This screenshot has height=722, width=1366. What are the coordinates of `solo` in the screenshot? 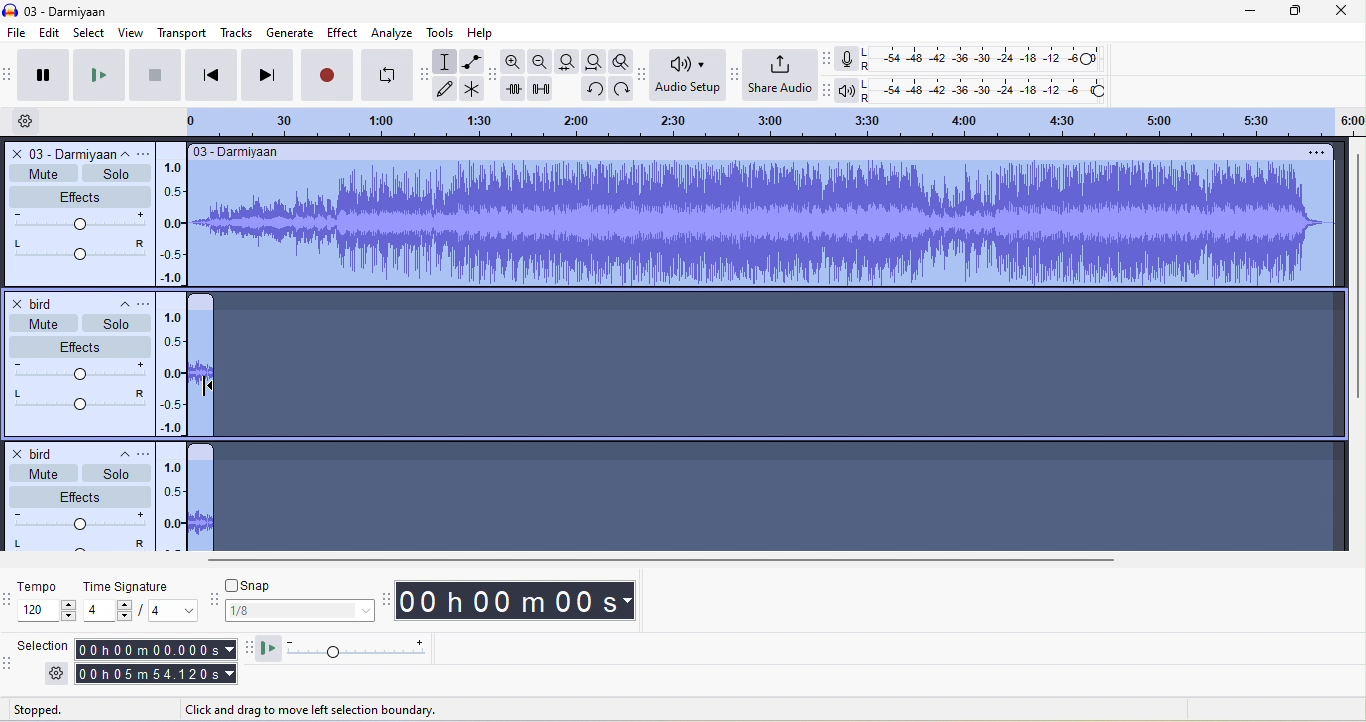 It's located at (113, 323).